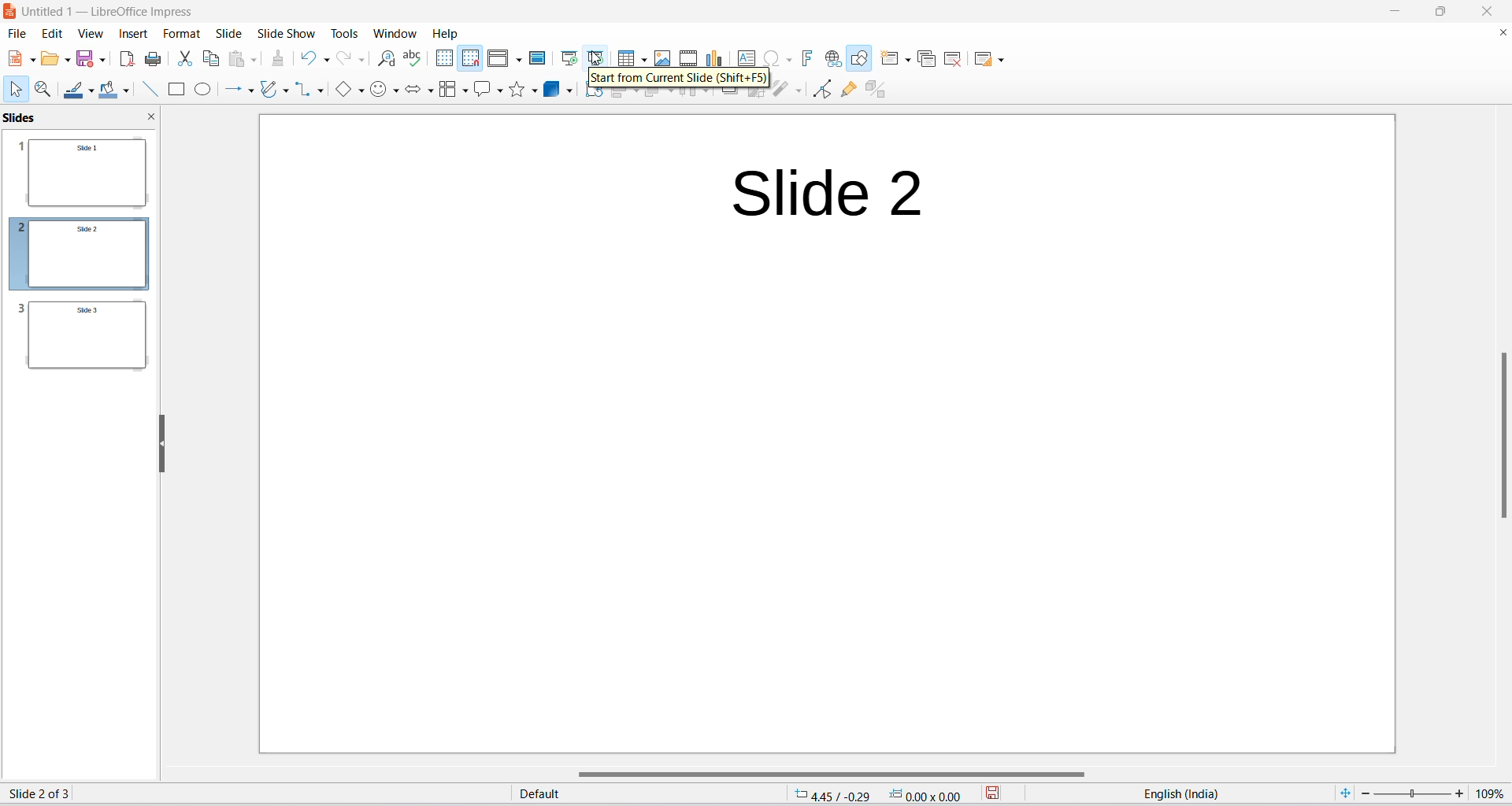 The width and height of the screenshot is (1512, 806). What do you see at coordinates (823, 89) in the screenshot?
I see `toggle edit mode` at bounding box center [823, 89].